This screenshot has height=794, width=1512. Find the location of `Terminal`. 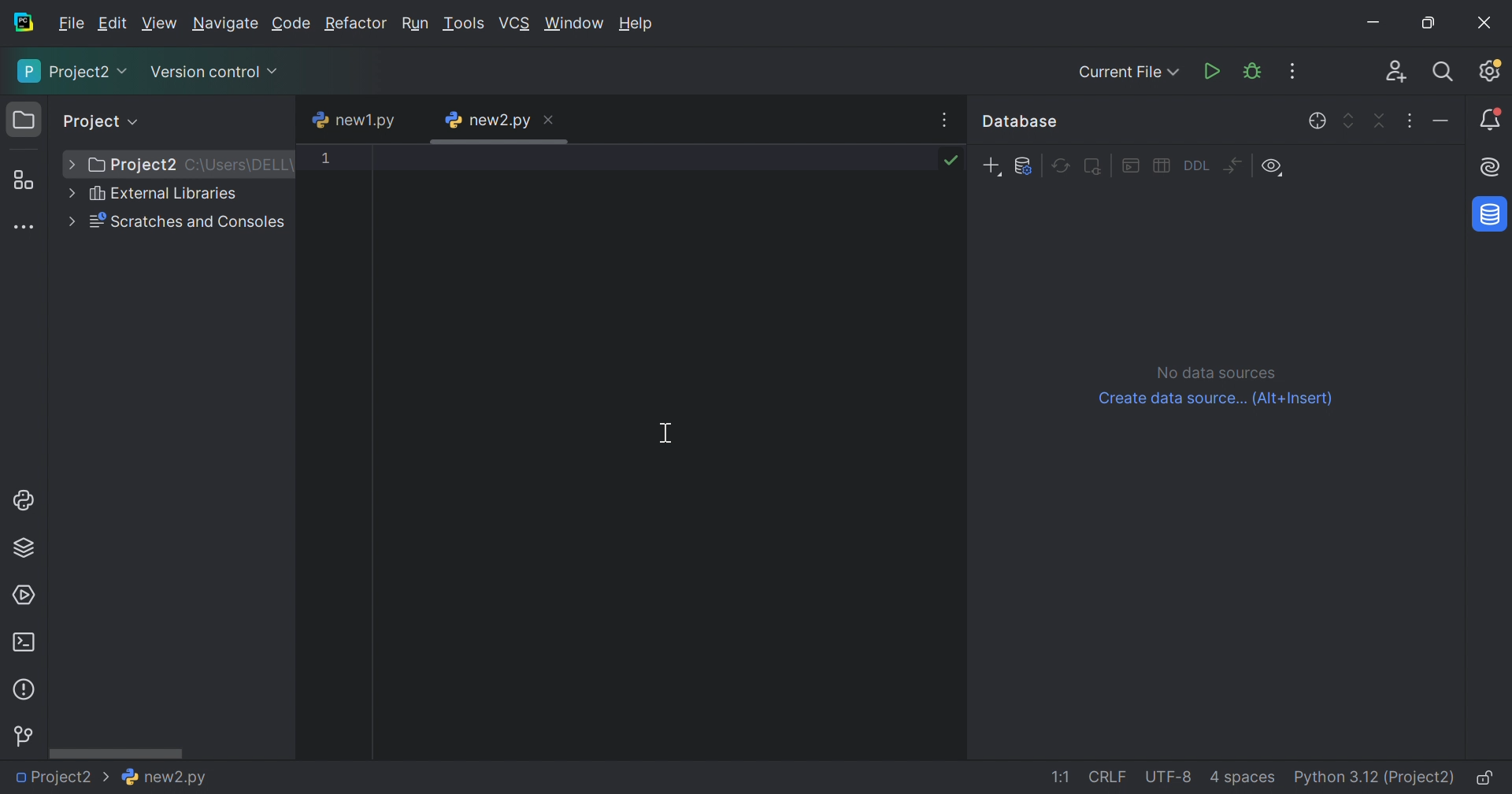

Terminal is located at coordinates (24, 642).